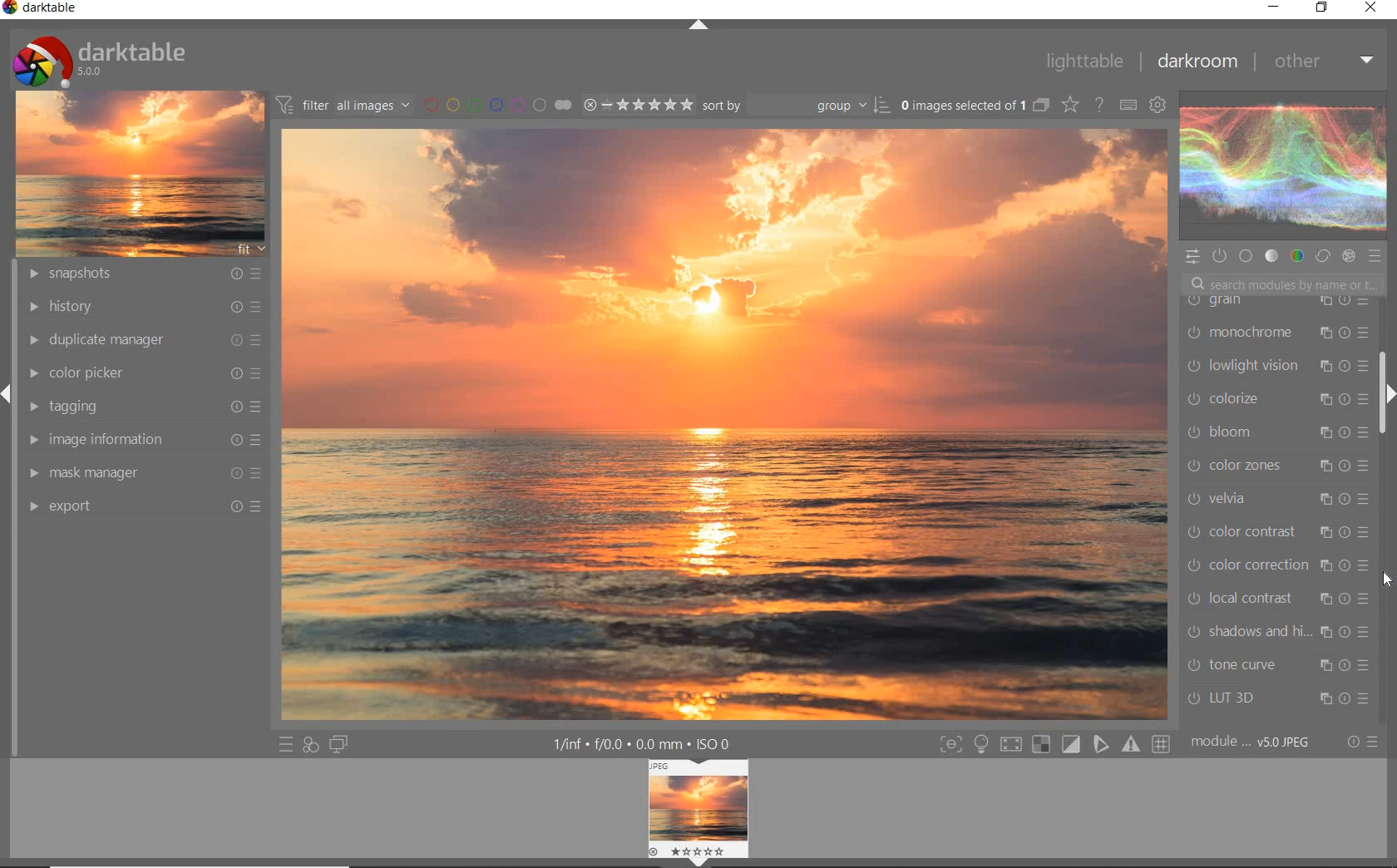  What do you see at coordinates (1201, 62) in the screenshot?
I see `darkroom` at bounding box center [1201, 62].